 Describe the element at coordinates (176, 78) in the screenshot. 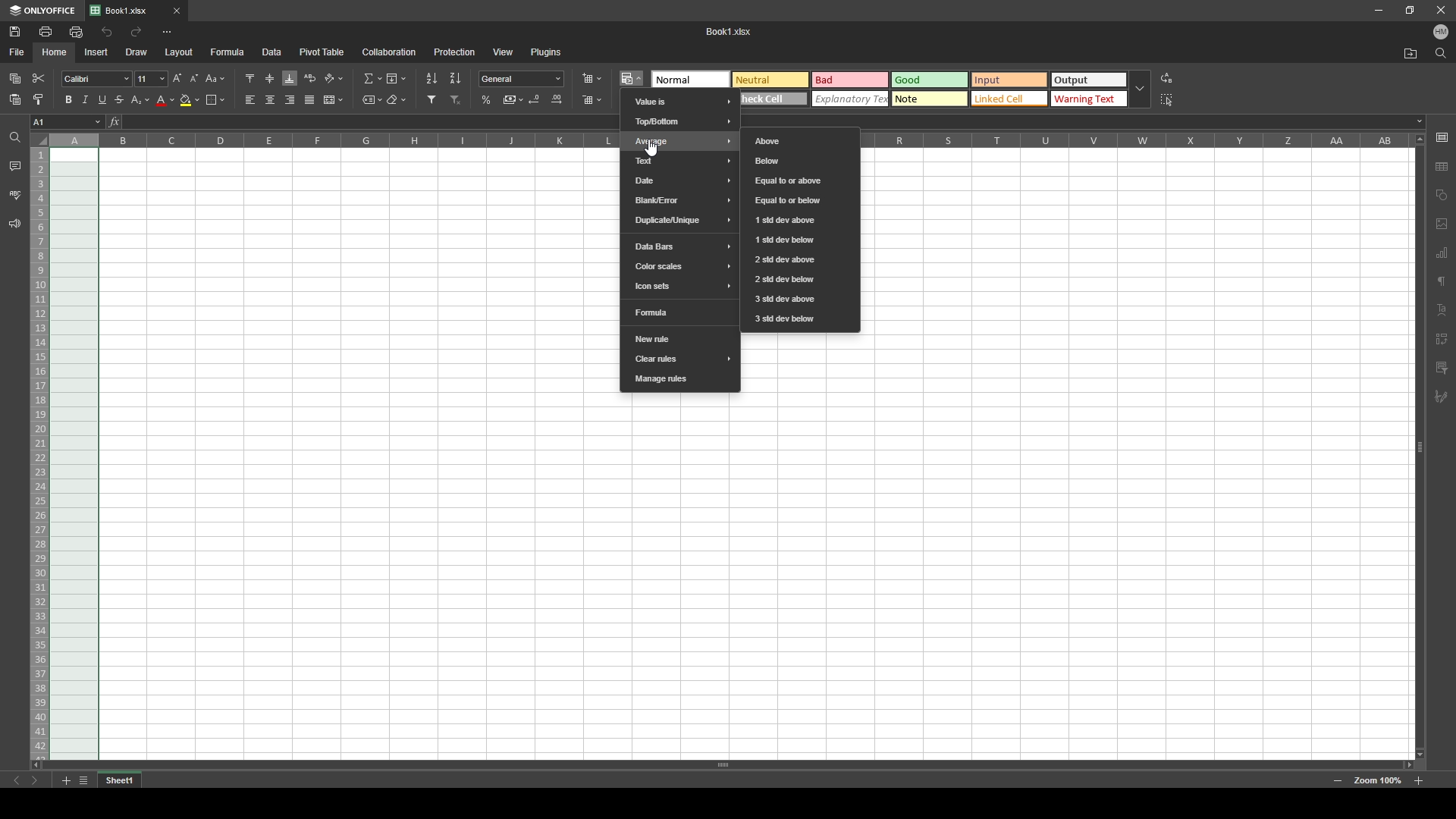

I see `increment font size` at that location.